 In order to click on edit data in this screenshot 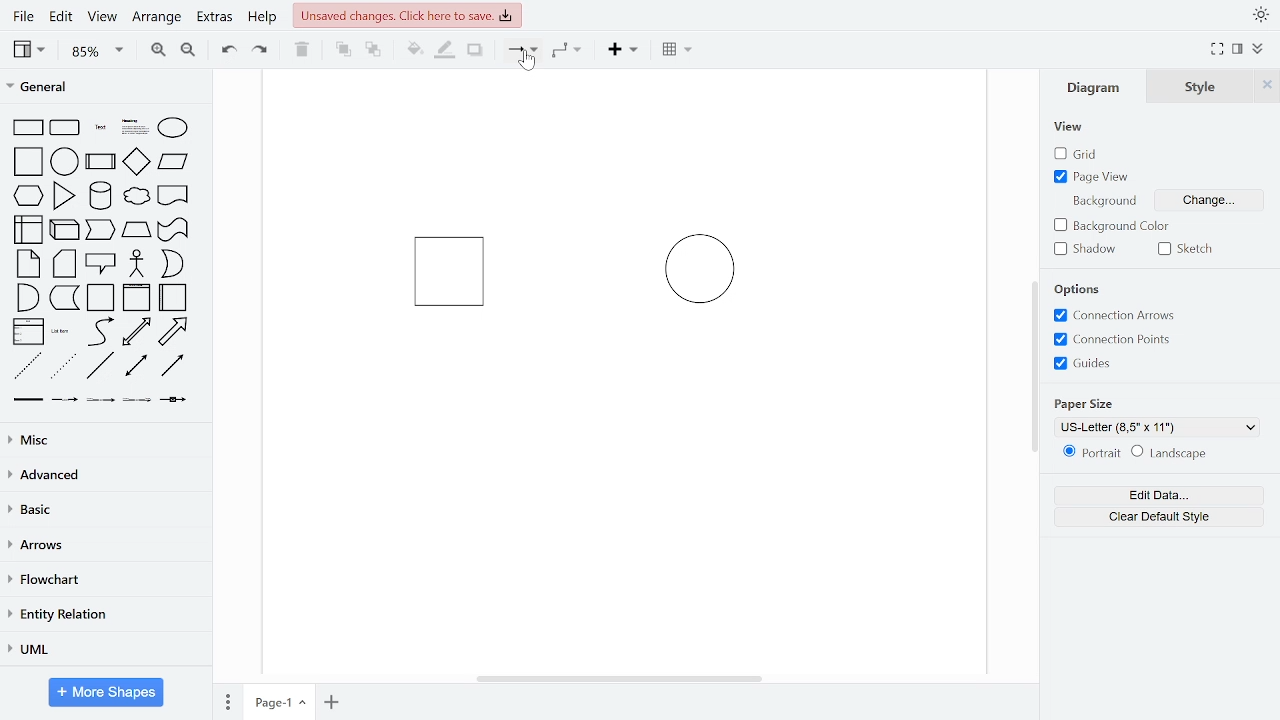, I will do `click(1158, 496)`.